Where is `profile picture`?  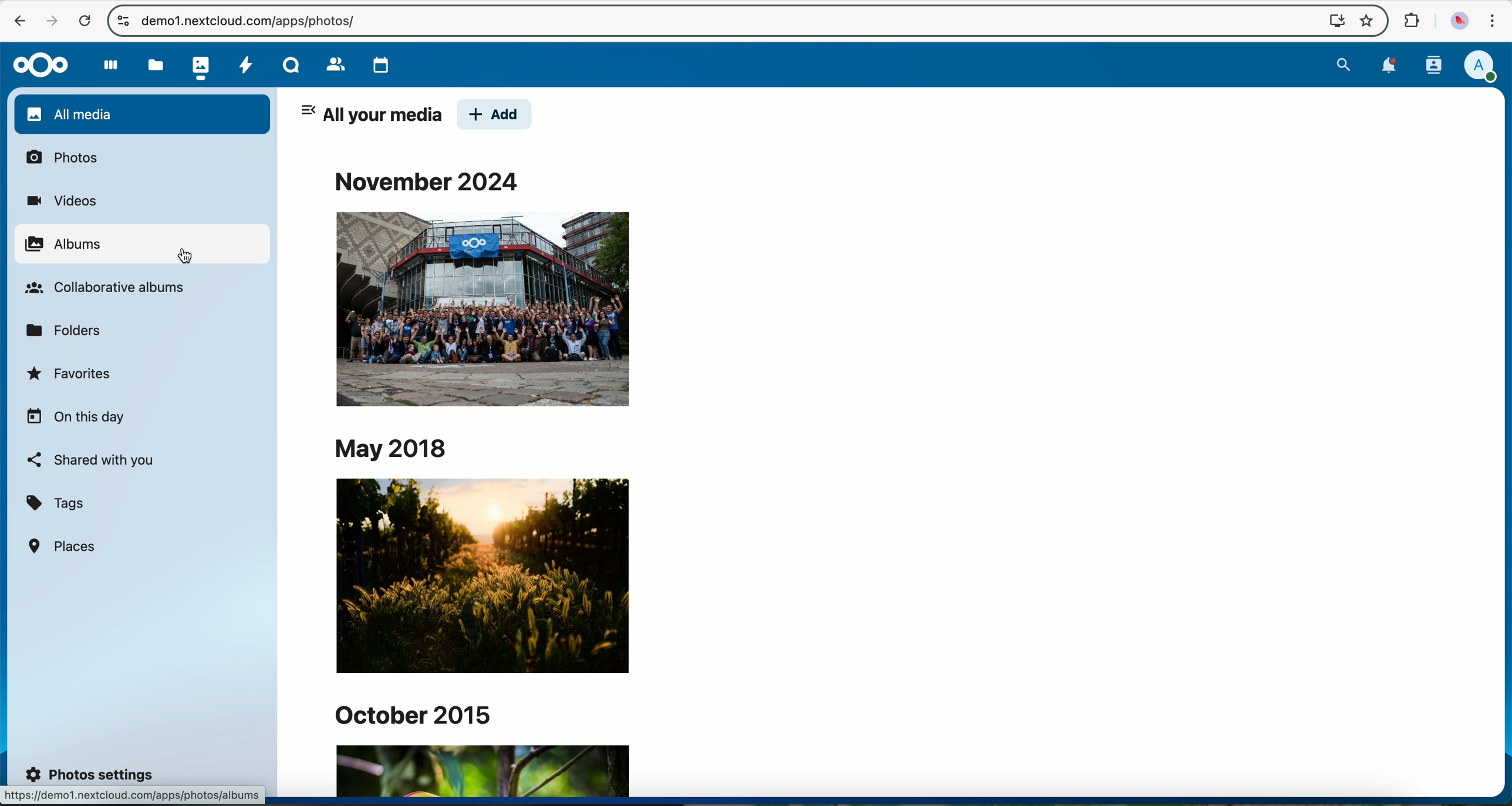
profile picture is located at coordinates (1457, 22).